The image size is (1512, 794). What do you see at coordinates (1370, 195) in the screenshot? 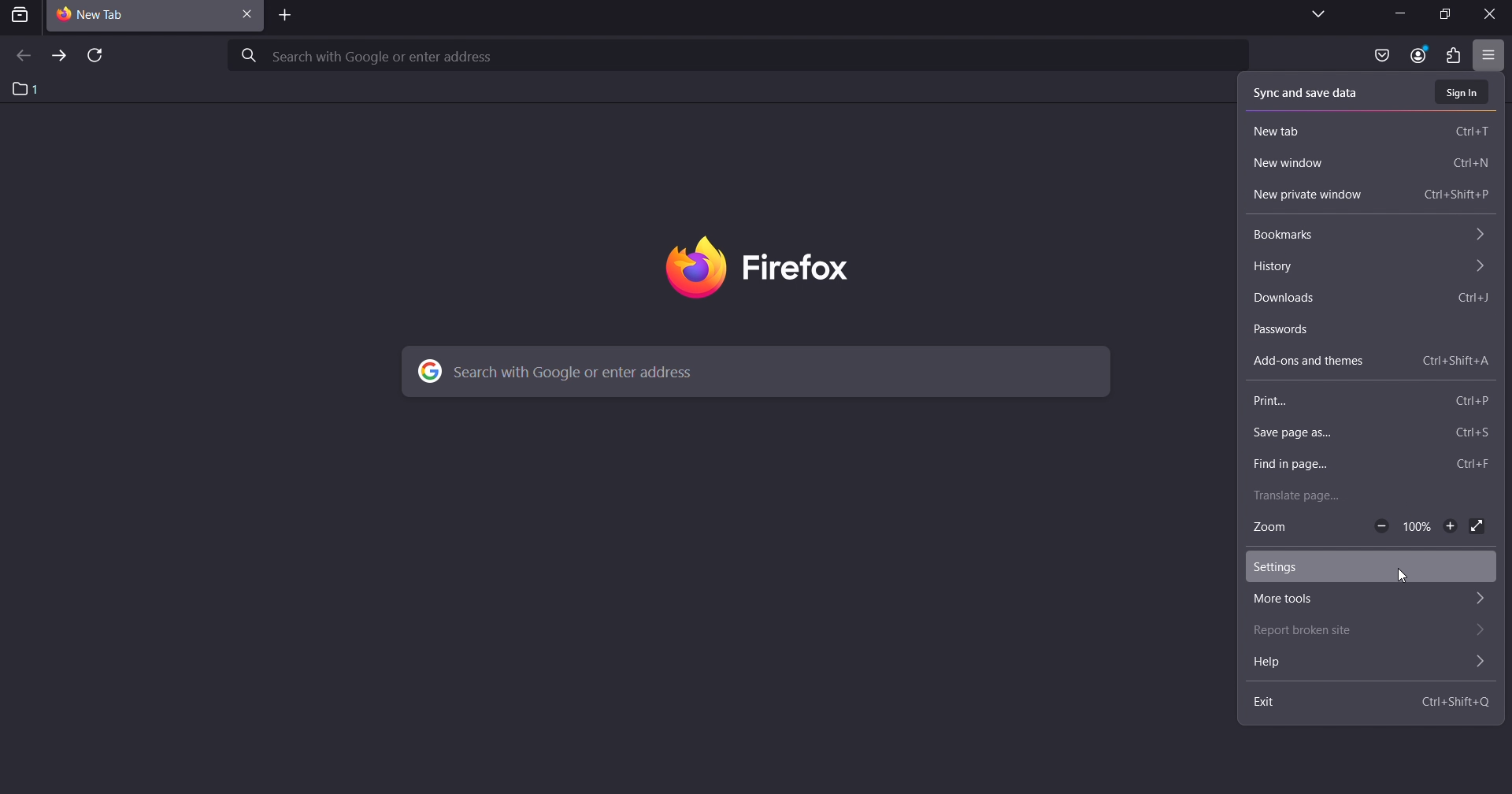
I see `new private window` at bounding box center [1370, 195].